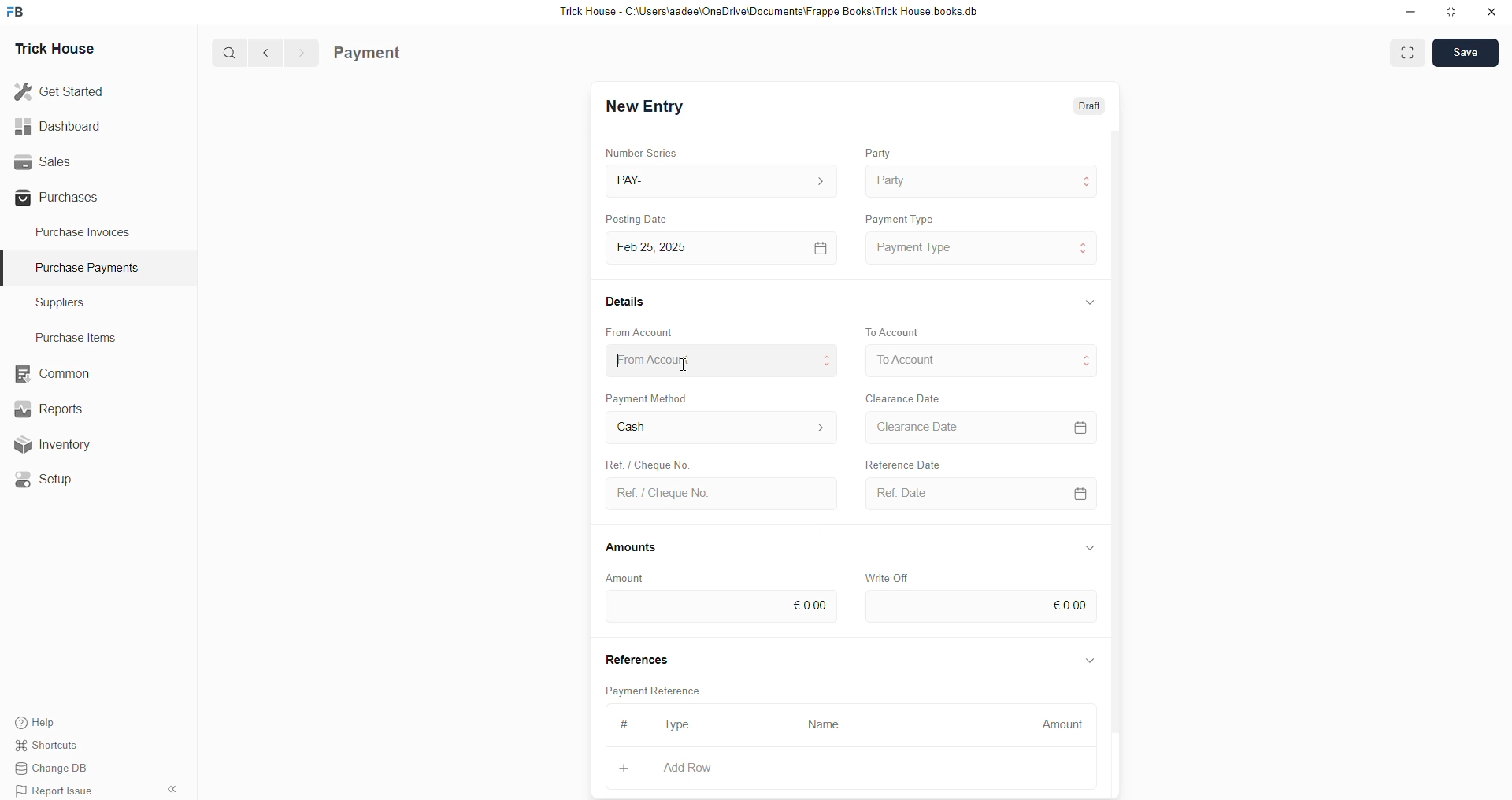 The height and width of the screenshot is (800, 1512). Describe the element at coordinates (635, 179) in the screenshot. I see `PAY-` at that location.